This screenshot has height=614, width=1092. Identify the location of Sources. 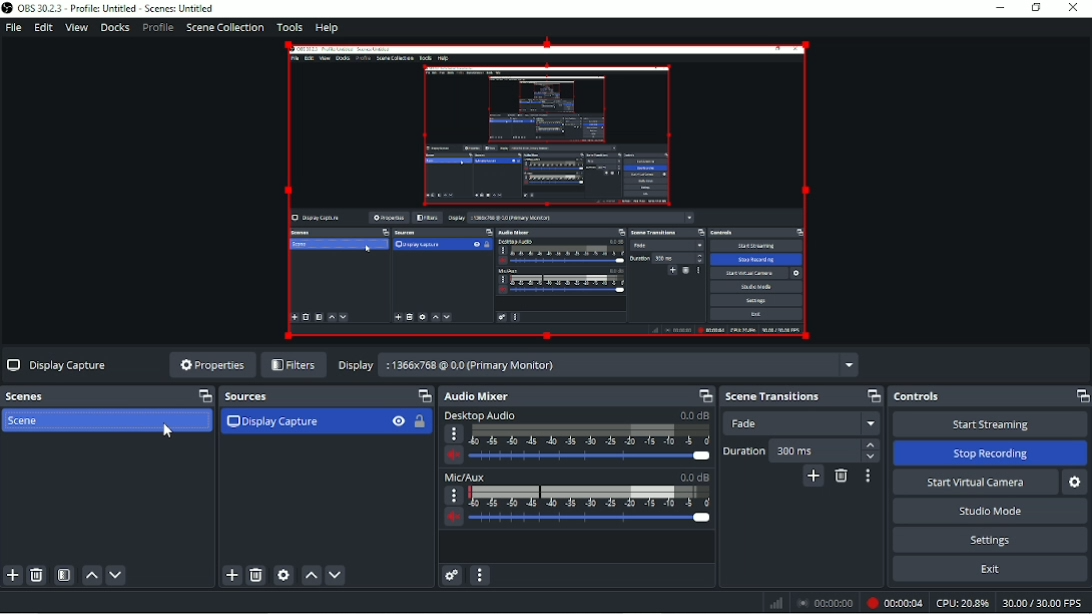
(247, 398).